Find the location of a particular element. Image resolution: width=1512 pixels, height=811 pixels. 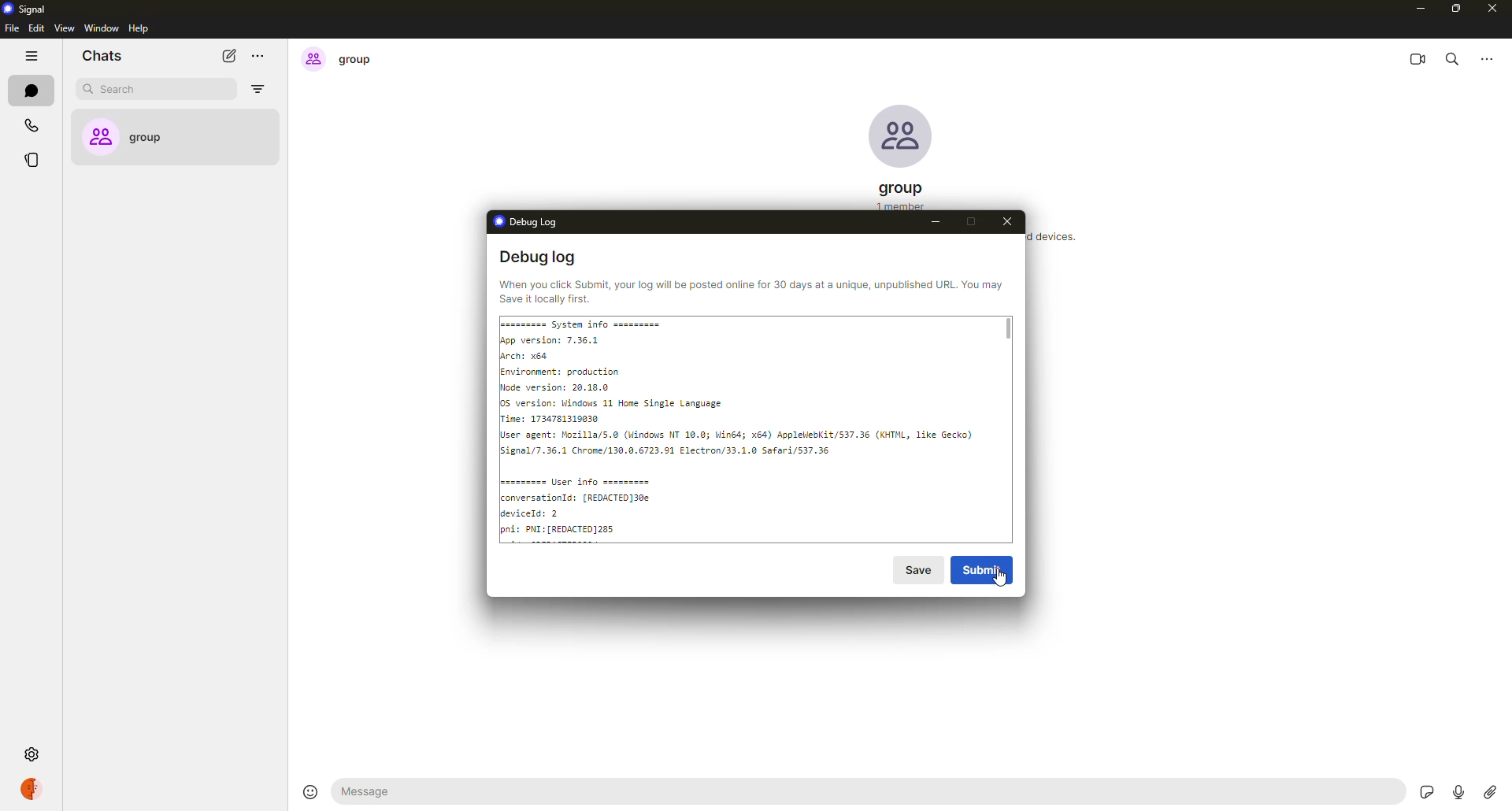

emoji is located at coordinates (309, 791).